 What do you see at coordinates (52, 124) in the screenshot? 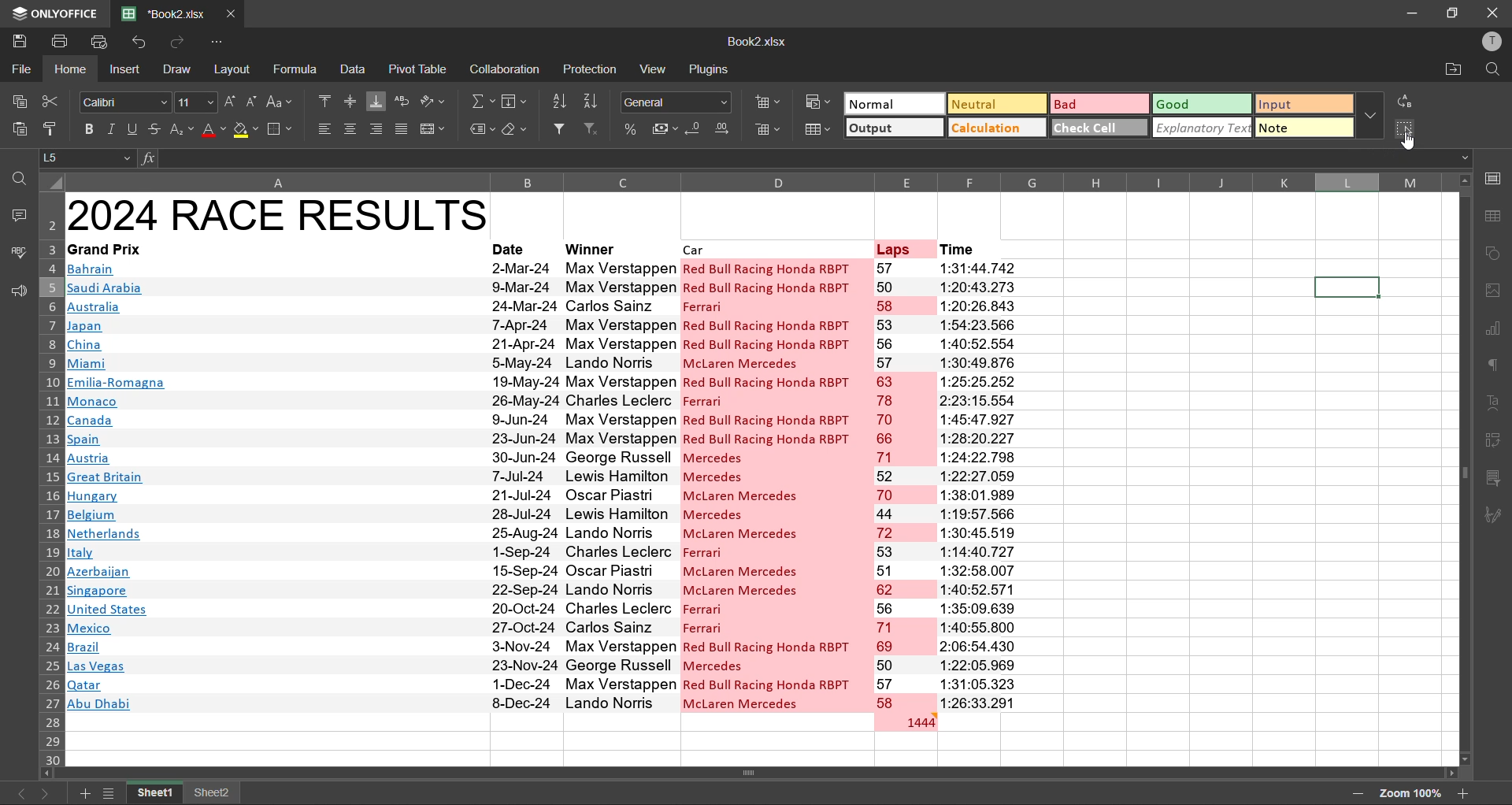
I see `copy style` at bounding box center [52, 124].